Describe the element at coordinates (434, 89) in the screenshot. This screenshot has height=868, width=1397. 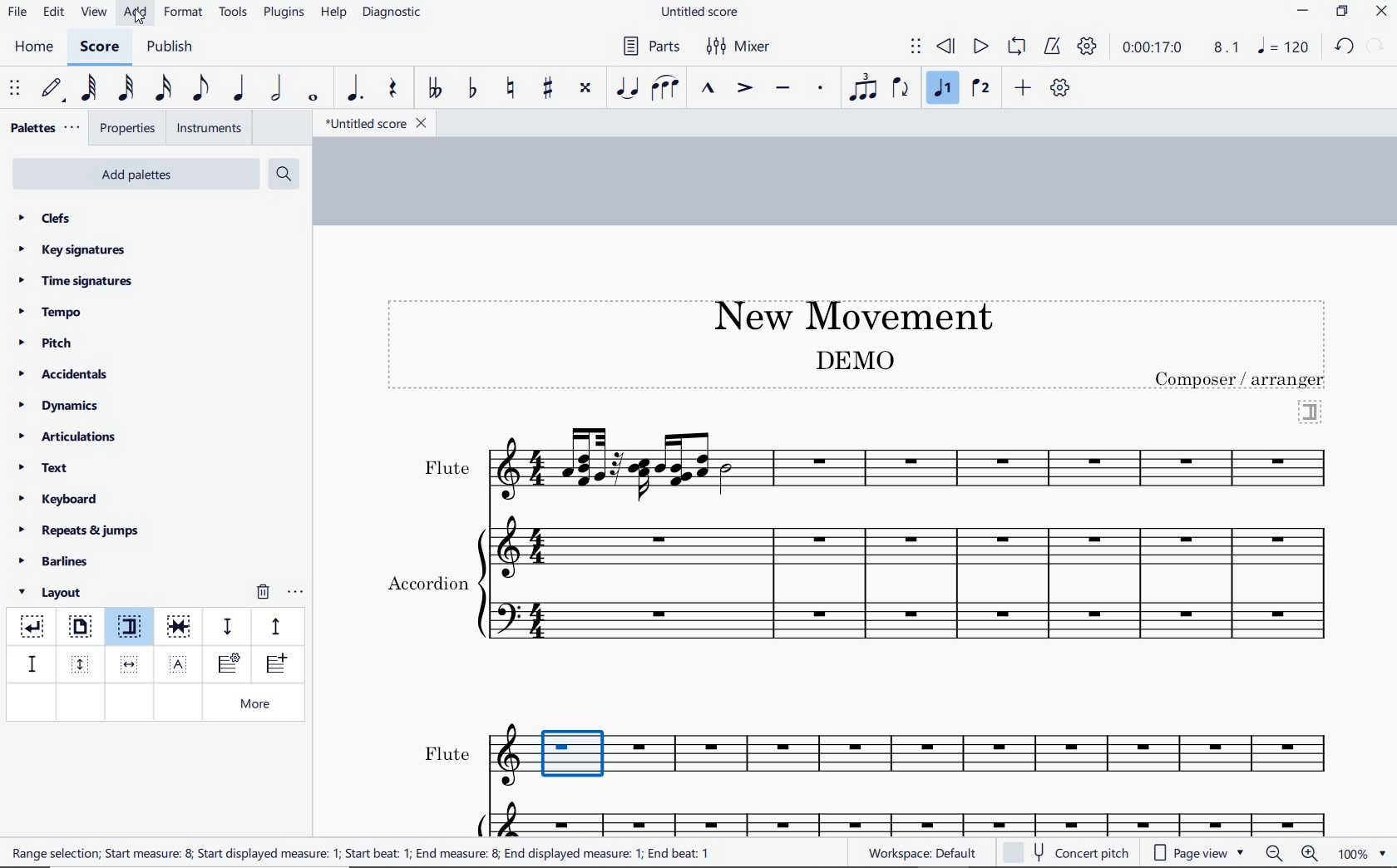
I see `toggle double-flat` at that location.